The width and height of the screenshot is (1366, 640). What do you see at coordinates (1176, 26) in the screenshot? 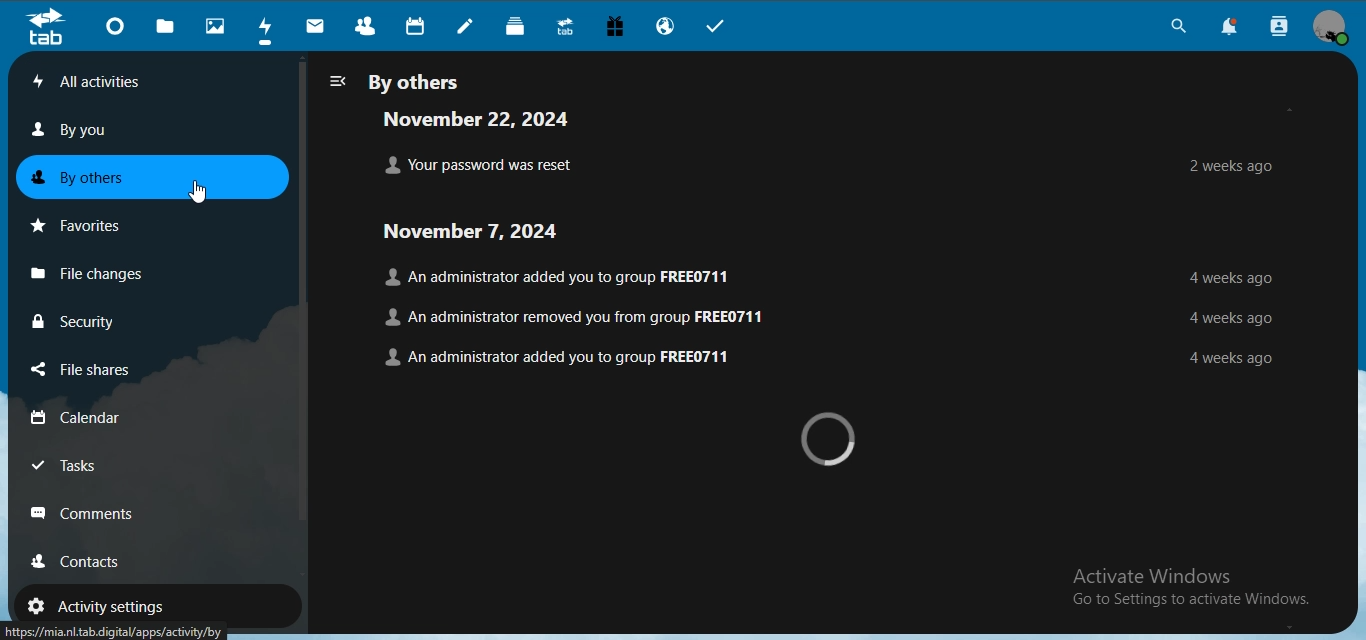
I see `search` at bounding box center [1176, 26].